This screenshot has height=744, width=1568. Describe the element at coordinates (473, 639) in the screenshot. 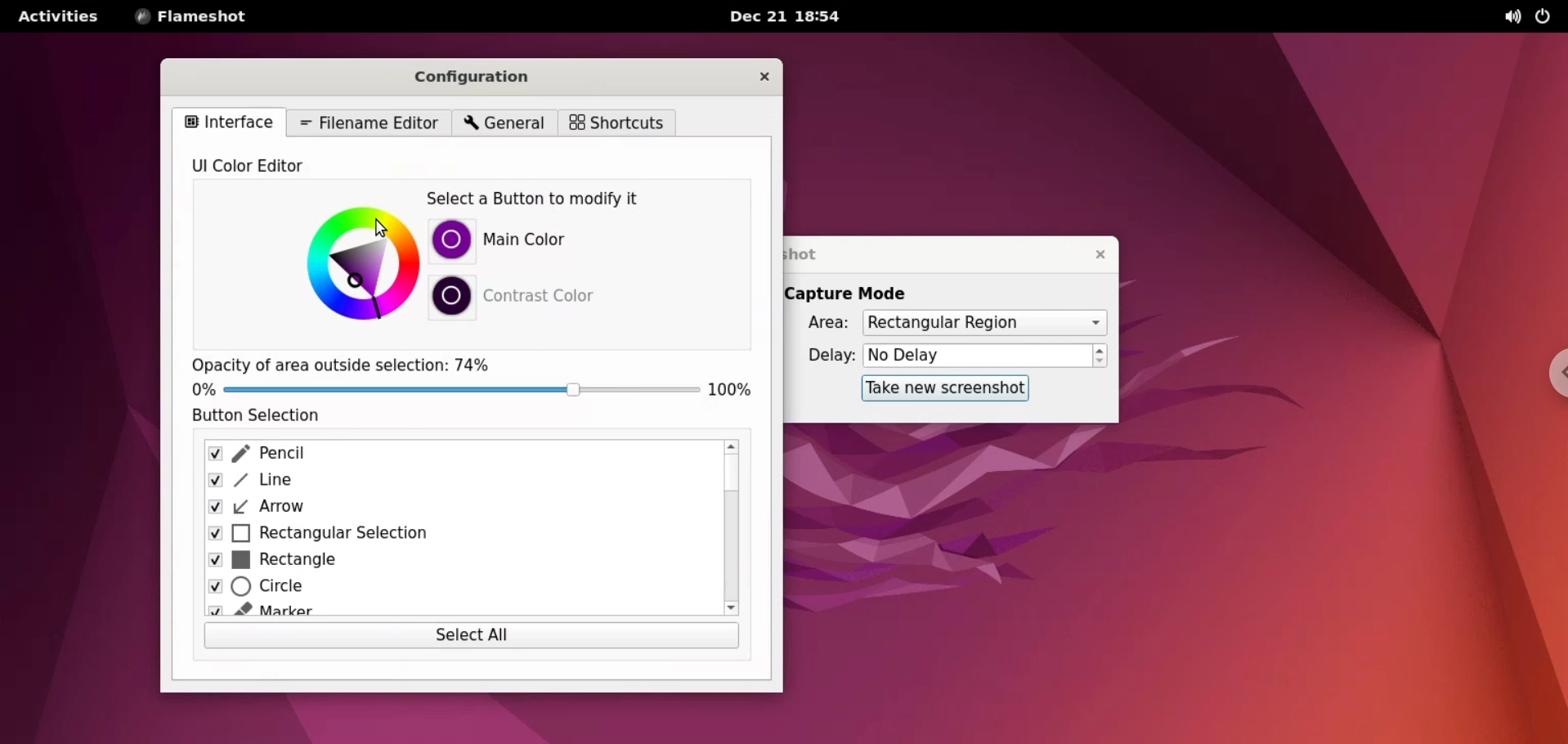

I see `select all` at that location.